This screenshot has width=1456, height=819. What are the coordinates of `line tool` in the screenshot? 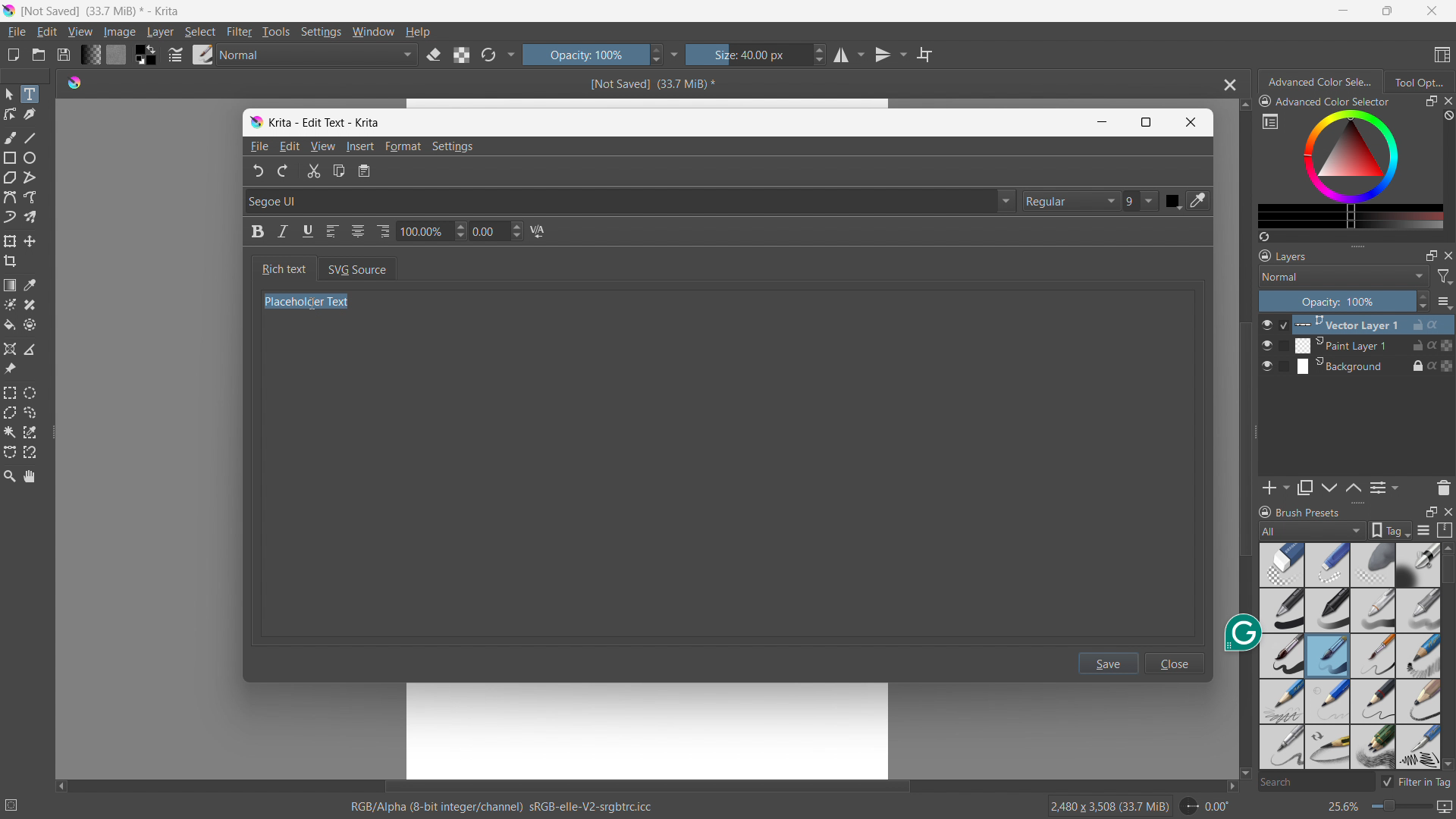 It's located at (31, 137).